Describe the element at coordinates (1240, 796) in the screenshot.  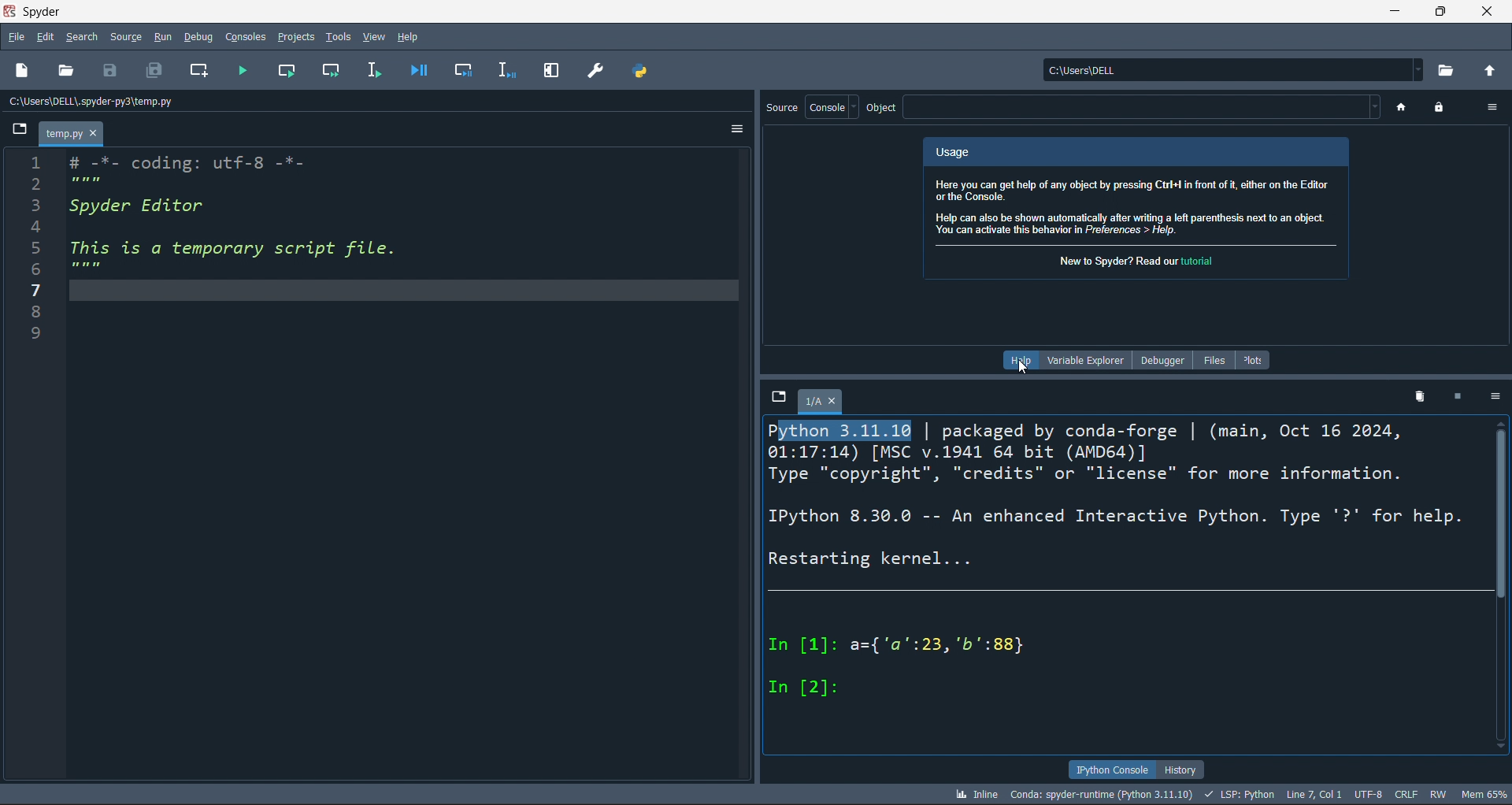
I see `LSP: Python` at that location.